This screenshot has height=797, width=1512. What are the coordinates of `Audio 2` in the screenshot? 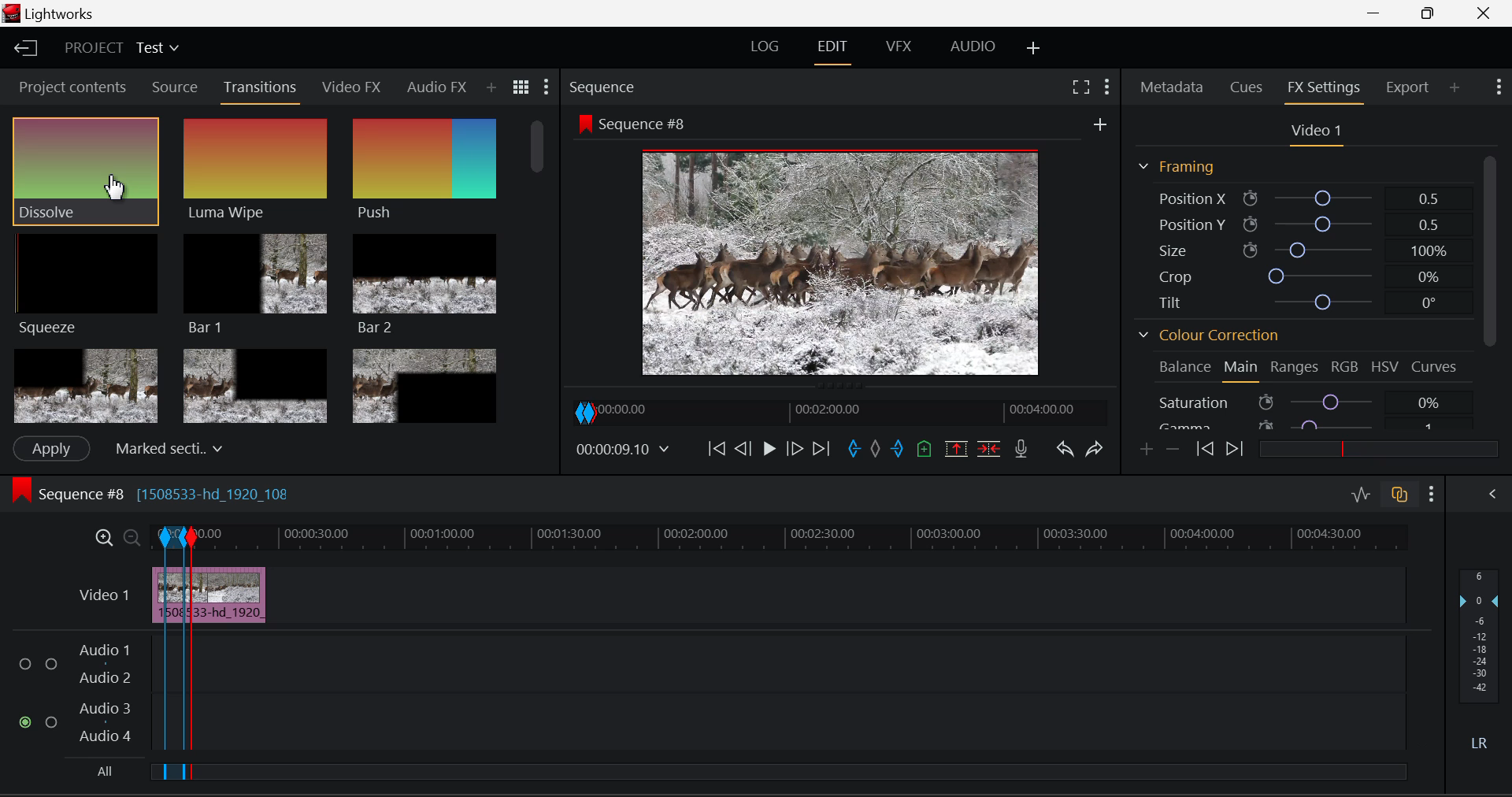 It's located at (106, 679).